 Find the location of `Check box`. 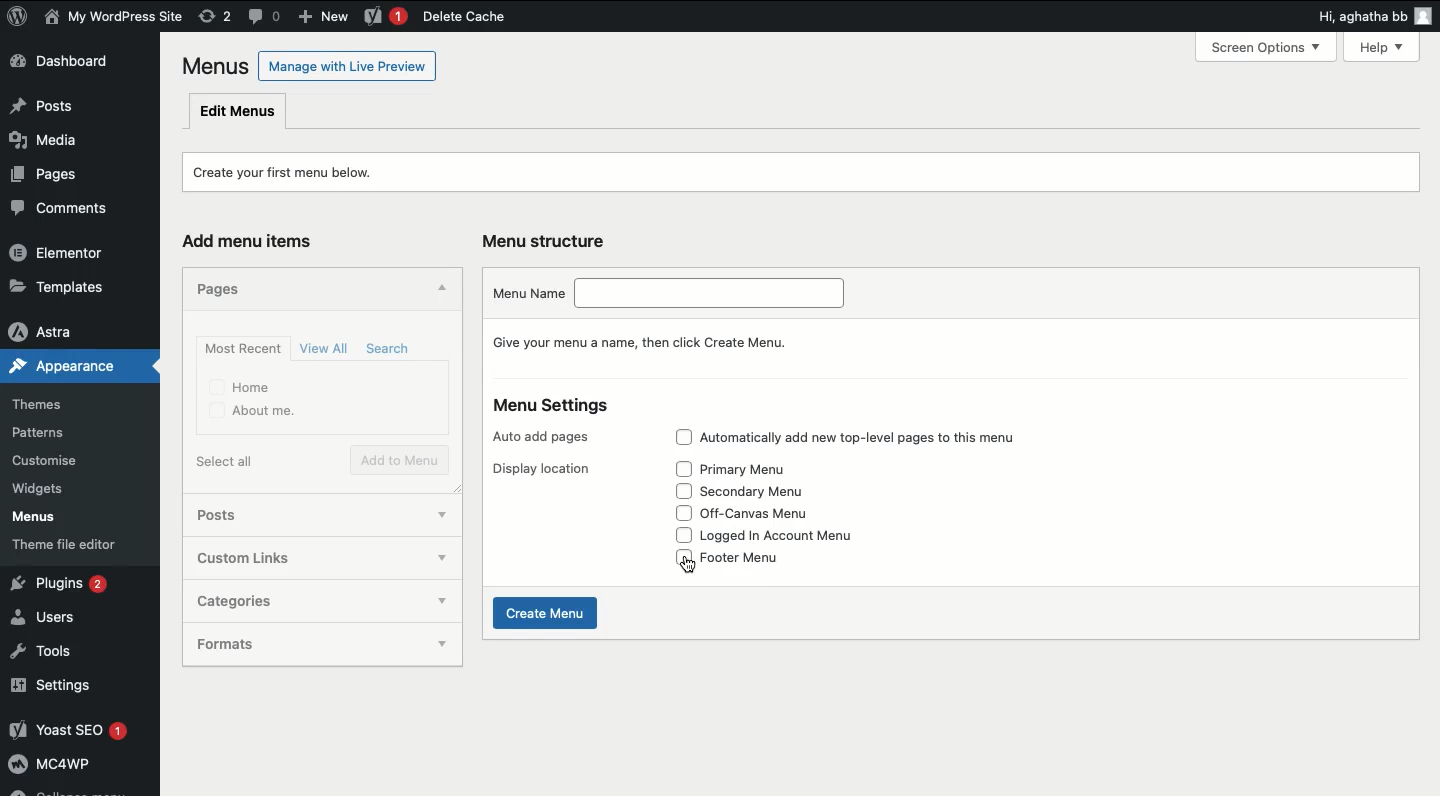

Check box is located at coordinates (683, 513).